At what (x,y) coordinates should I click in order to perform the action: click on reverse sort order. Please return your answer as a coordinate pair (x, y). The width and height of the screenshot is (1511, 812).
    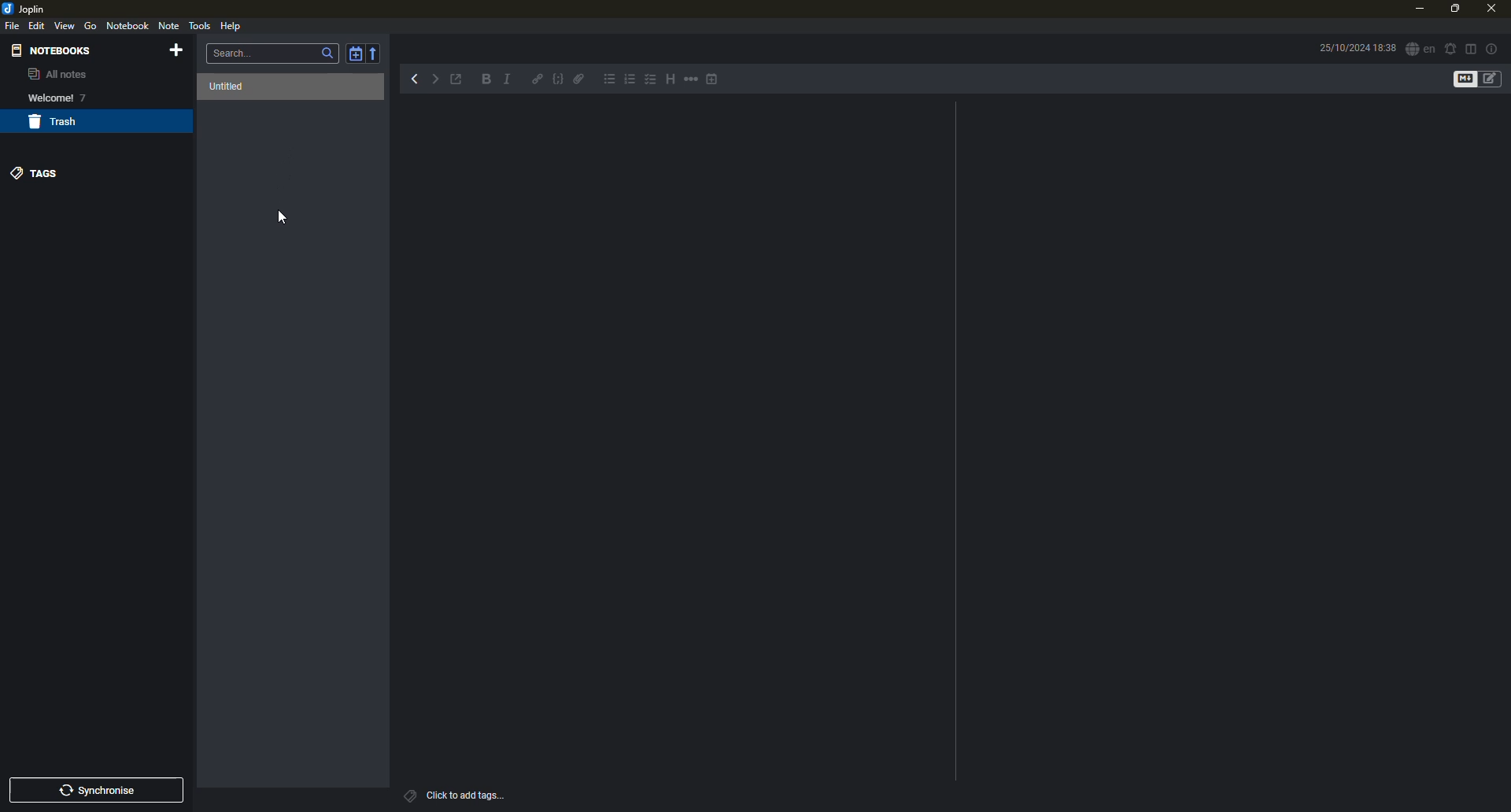
    Looking at the image, I should click on (377, 52).